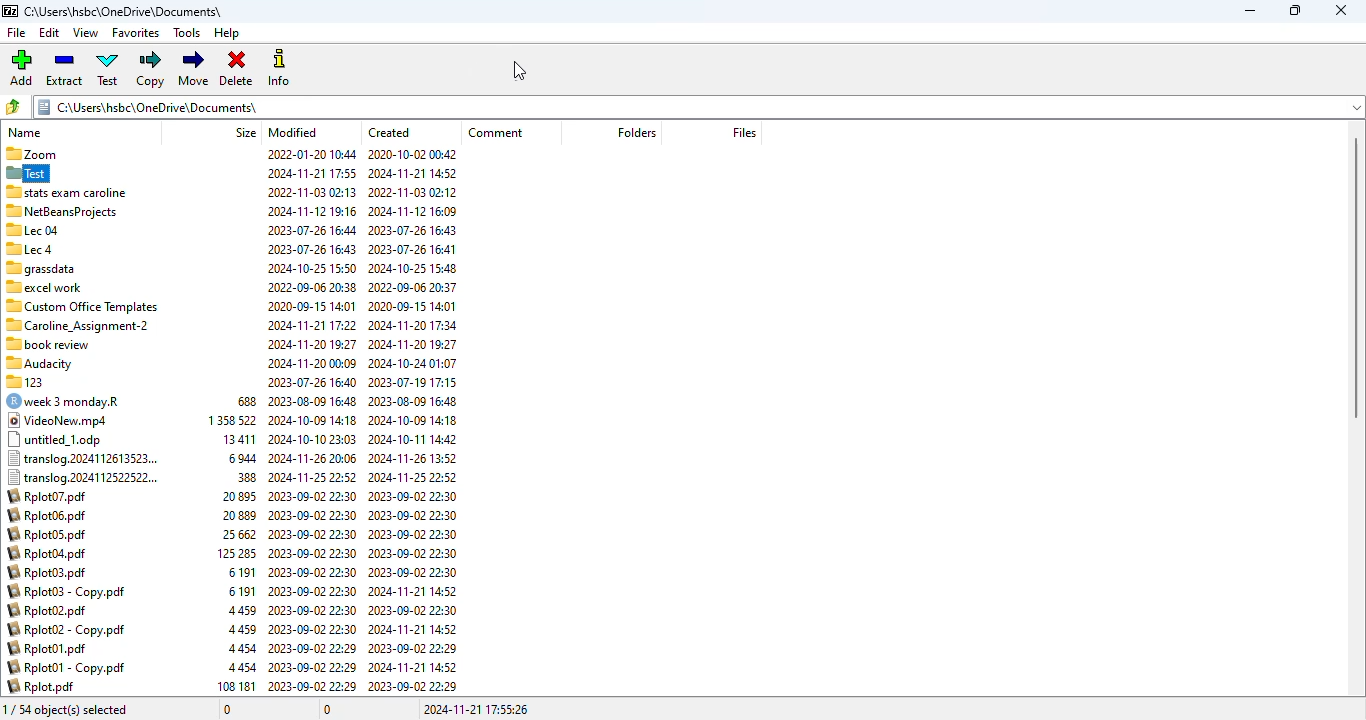  I want to click on 2023-09-02 22:30, so click(312, 496).